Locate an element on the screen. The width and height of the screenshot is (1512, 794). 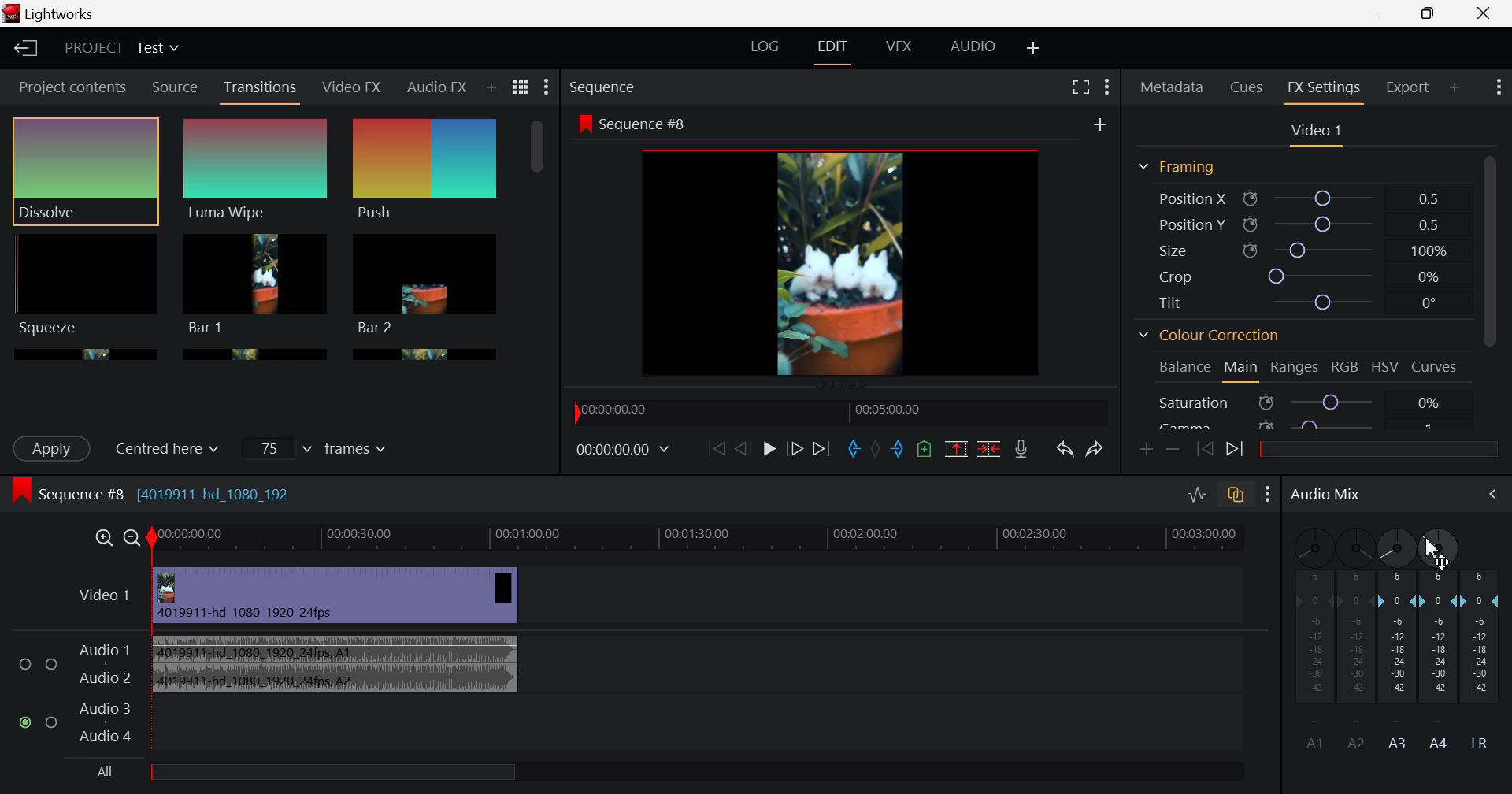
Show Settings is located at coordinates (547, 87).